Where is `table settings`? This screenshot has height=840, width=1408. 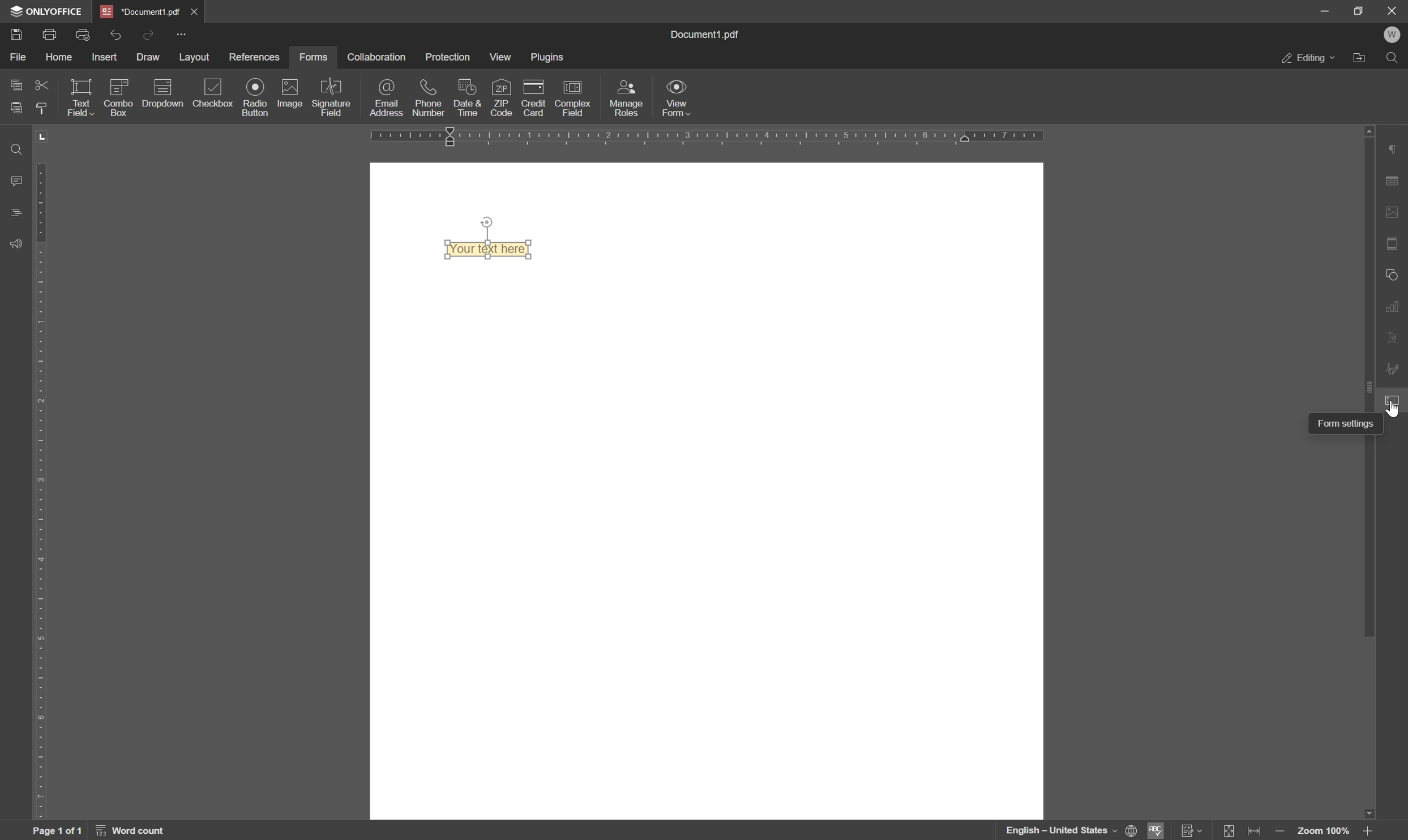 table settings is located at coordinates (1394, 181).